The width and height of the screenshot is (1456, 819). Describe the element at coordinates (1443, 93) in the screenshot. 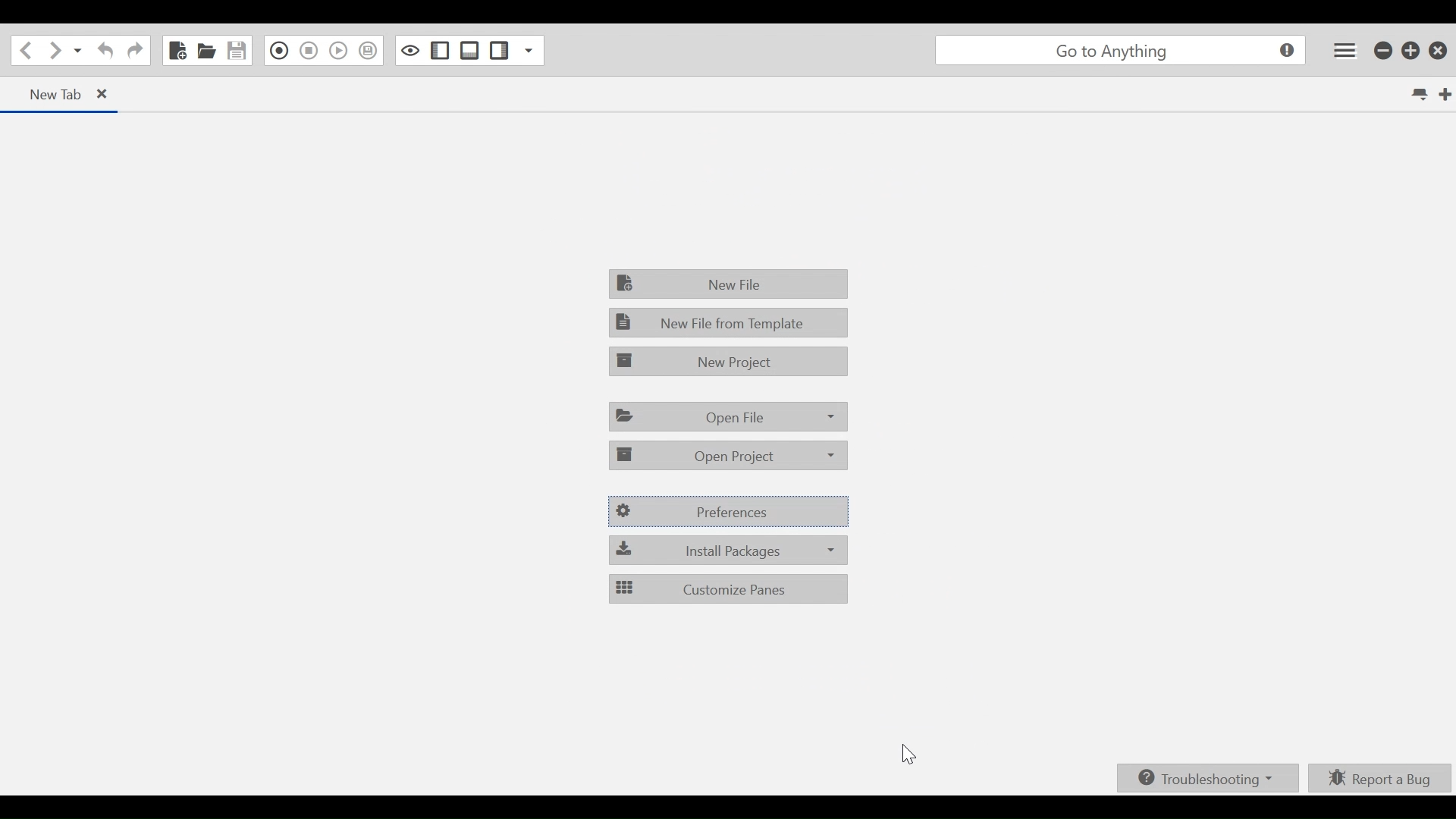

I see `New Tab ` at that location.